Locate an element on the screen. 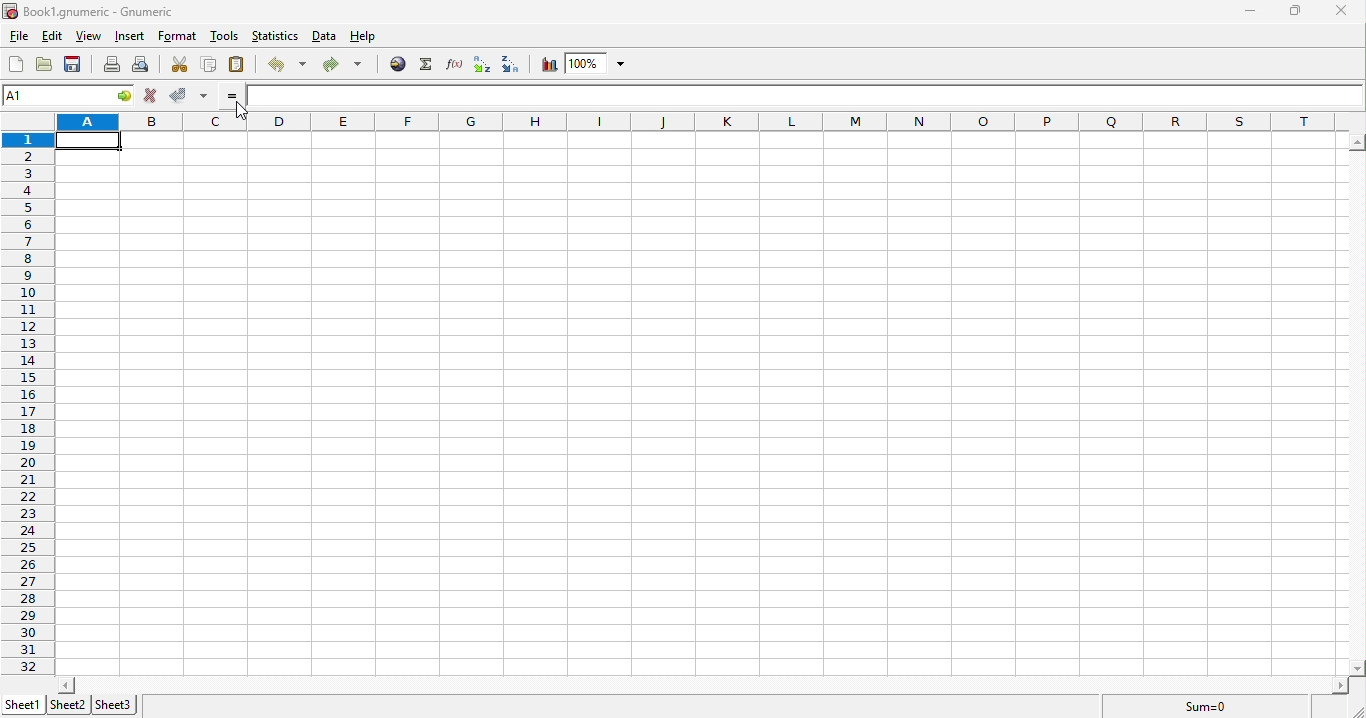 Image resolution: width=1366 pixels, height=718 pixels. undo is located at coordinates (286, 64).